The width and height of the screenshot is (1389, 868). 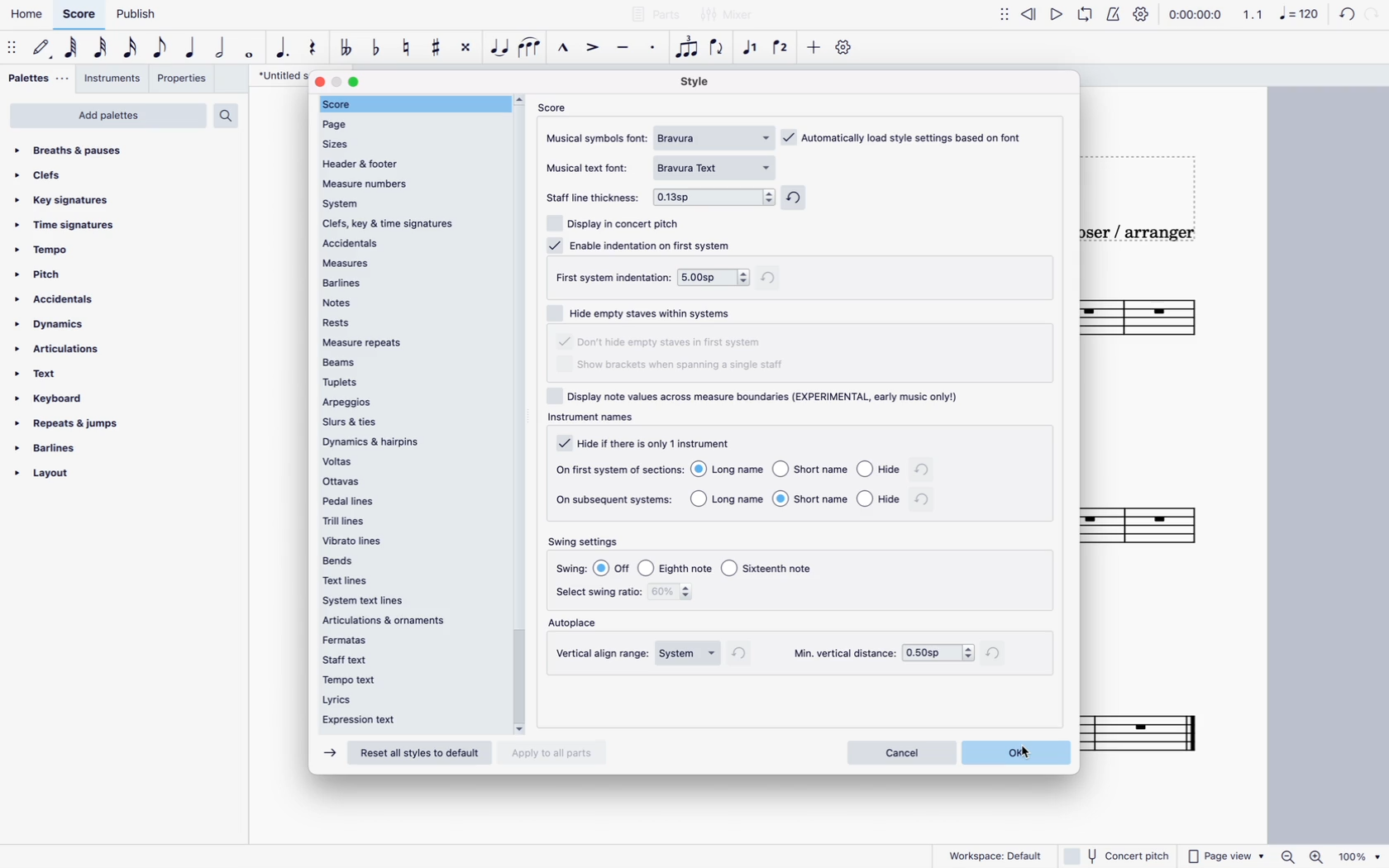 I want to click on breaths & pauses, so click(x=77, y=148).